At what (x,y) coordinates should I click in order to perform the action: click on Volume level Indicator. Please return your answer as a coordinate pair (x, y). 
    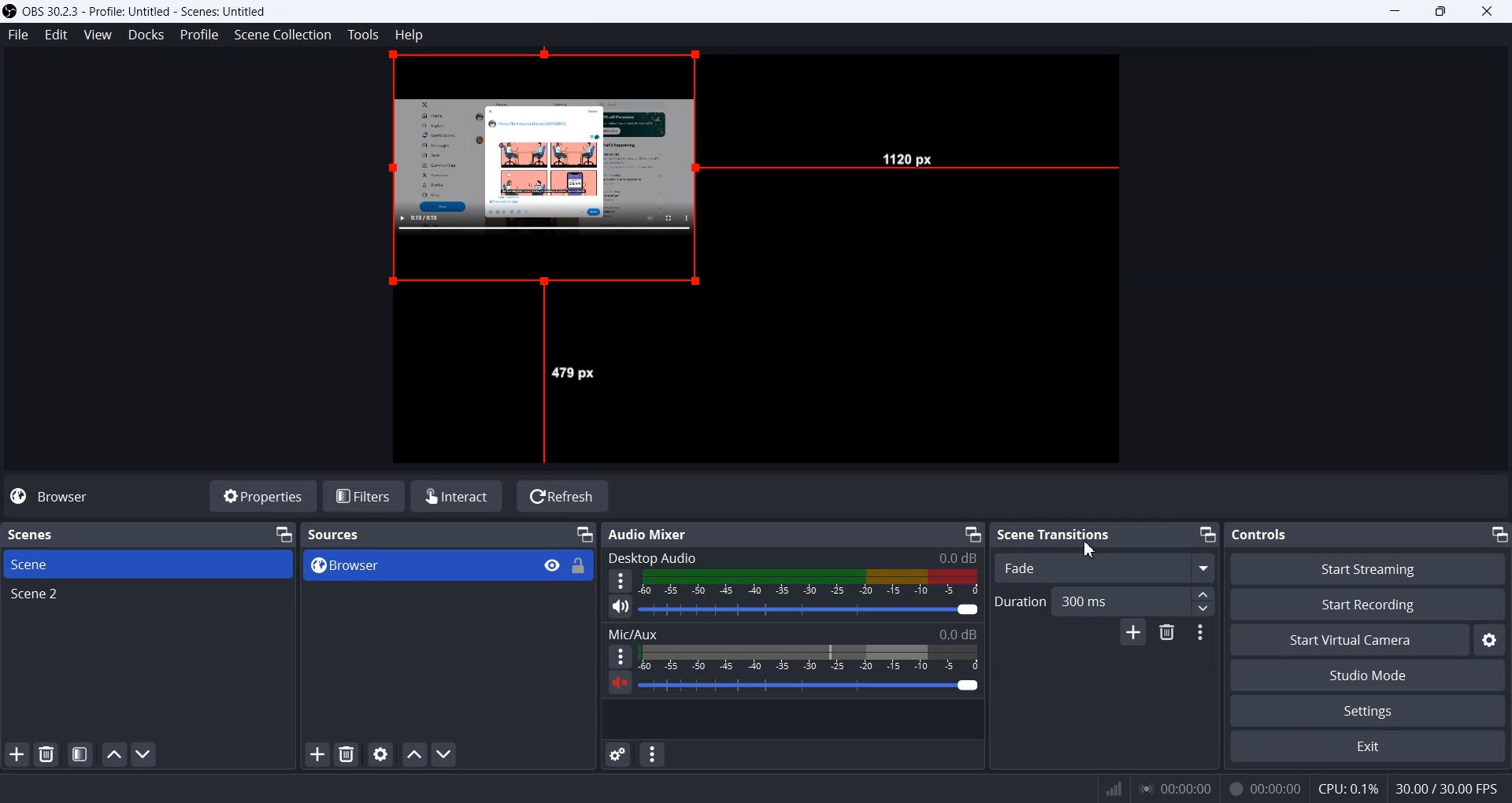
    Looking at the image, I should click on (811, 583).